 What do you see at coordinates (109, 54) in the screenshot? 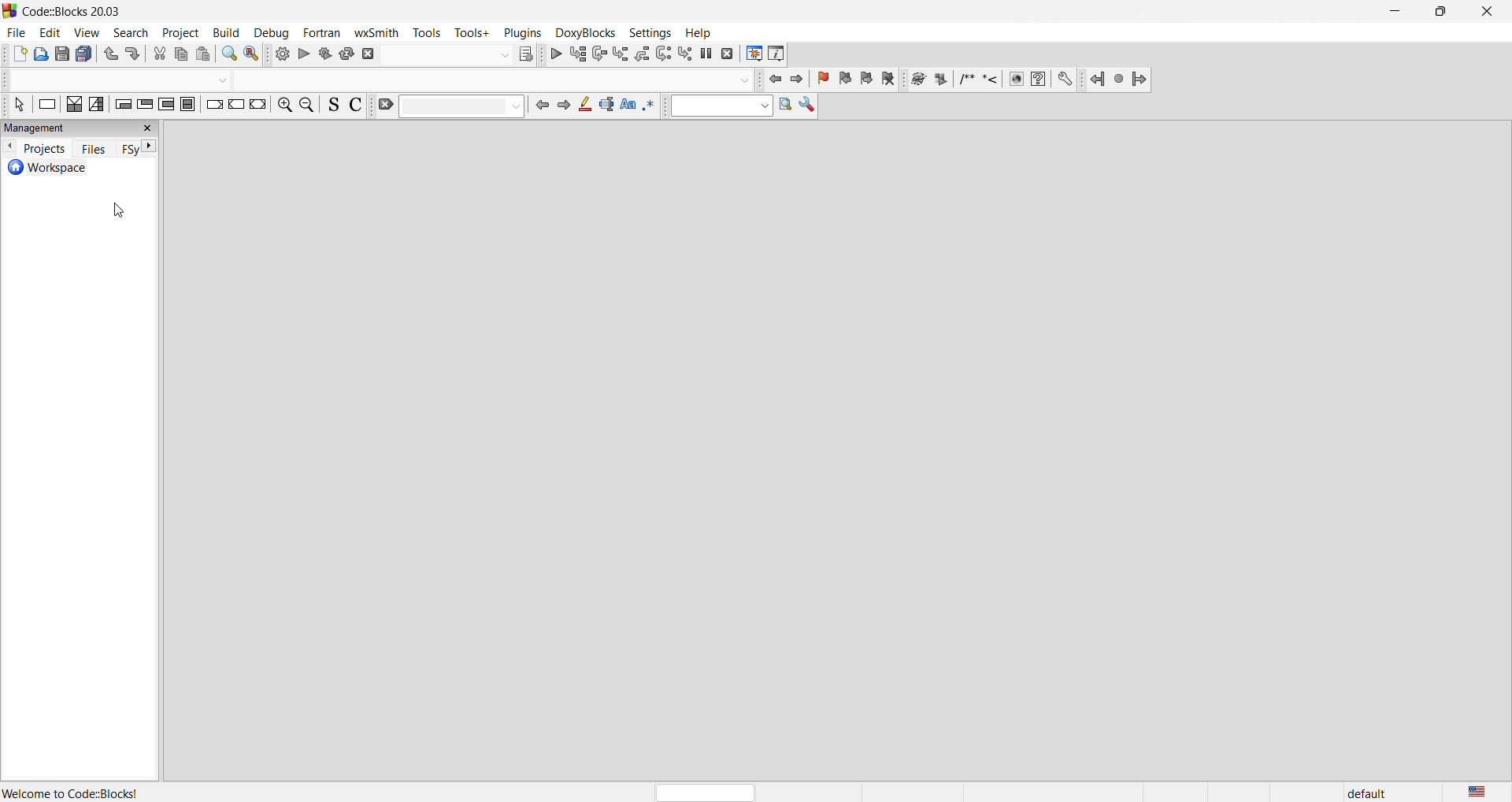
I see `undo` at bounding box center [109, 54].